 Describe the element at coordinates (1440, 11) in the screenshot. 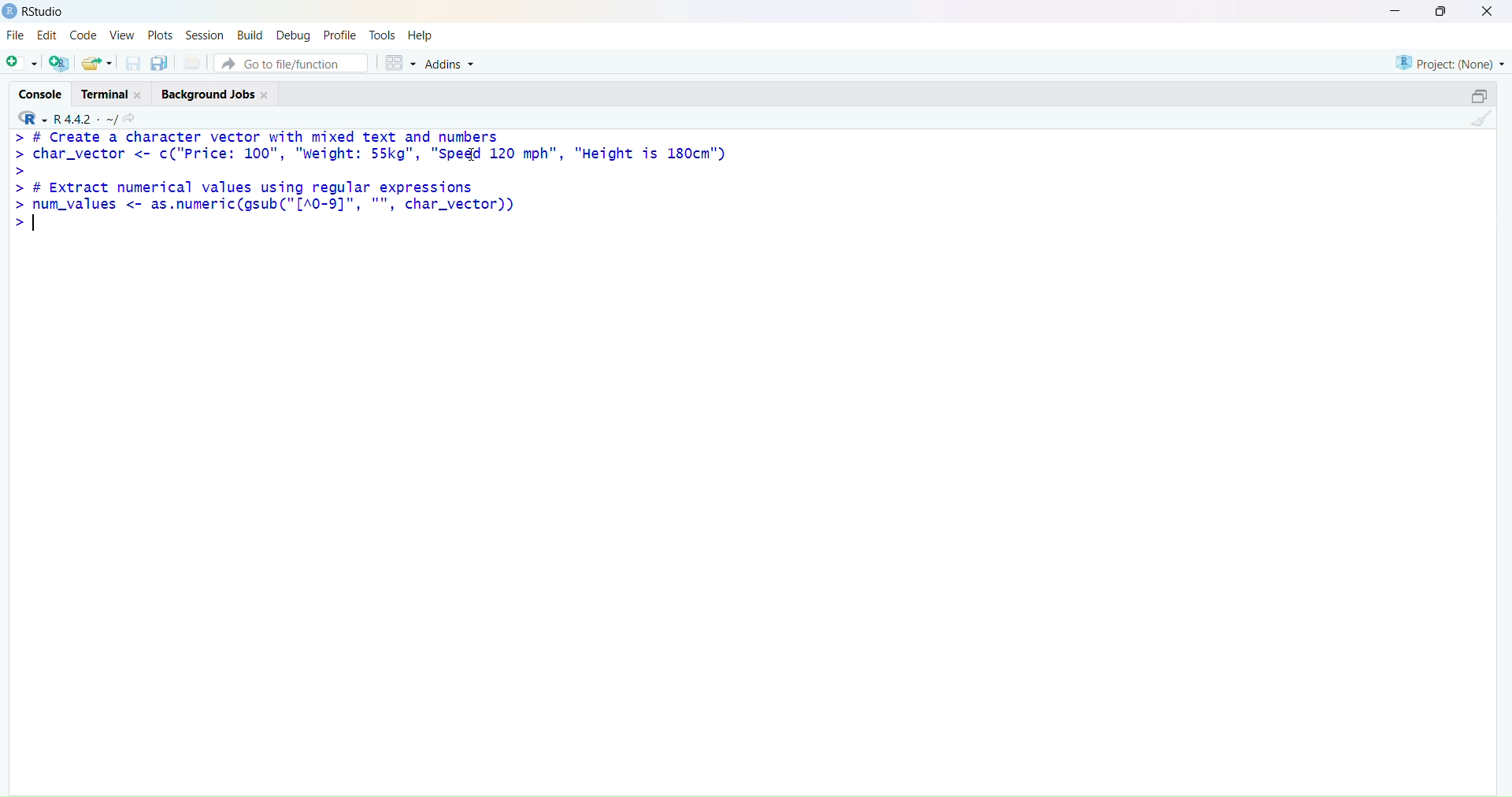

I see `maiximise` at that location.